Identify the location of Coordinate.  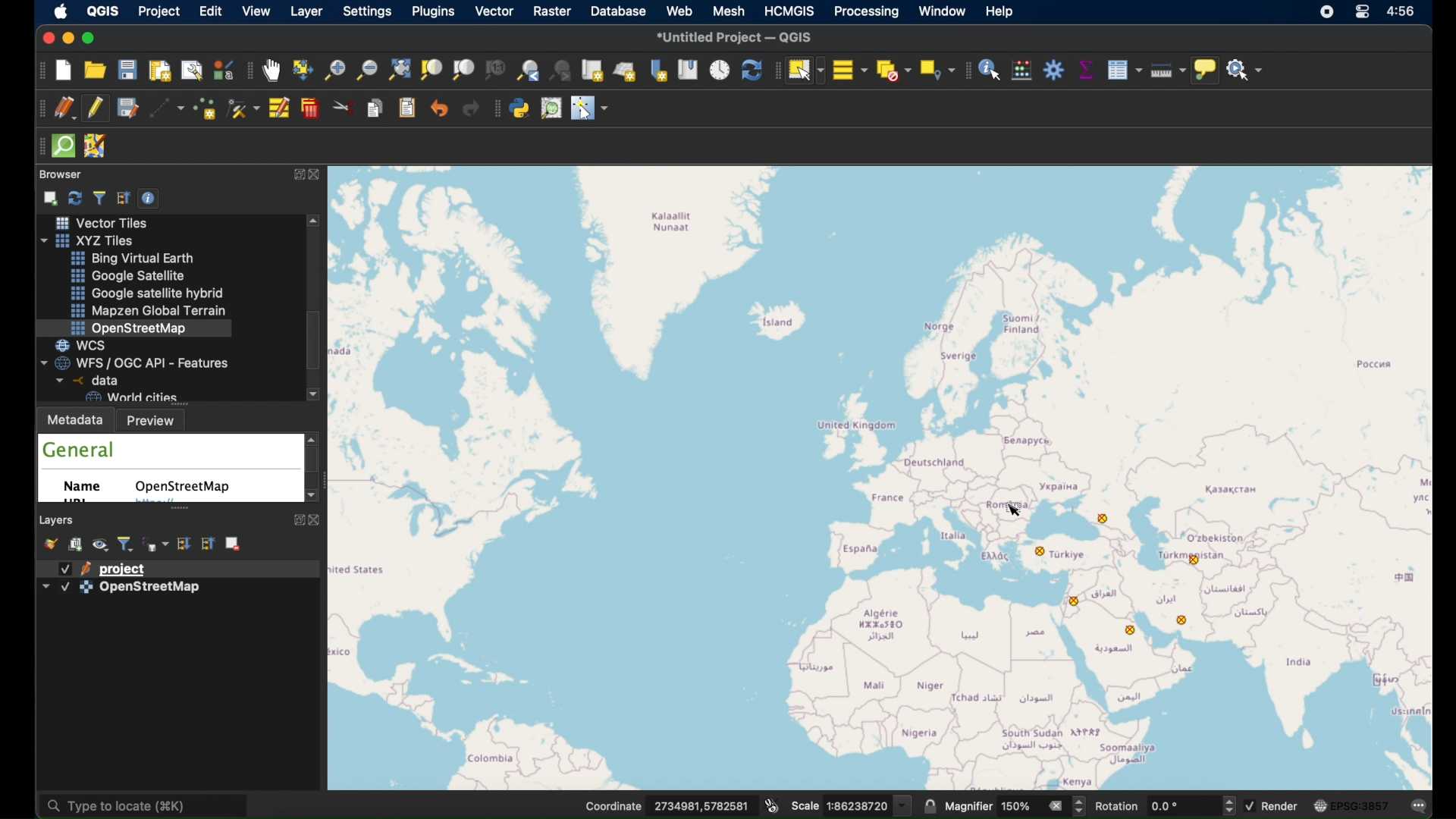
(604, 805).